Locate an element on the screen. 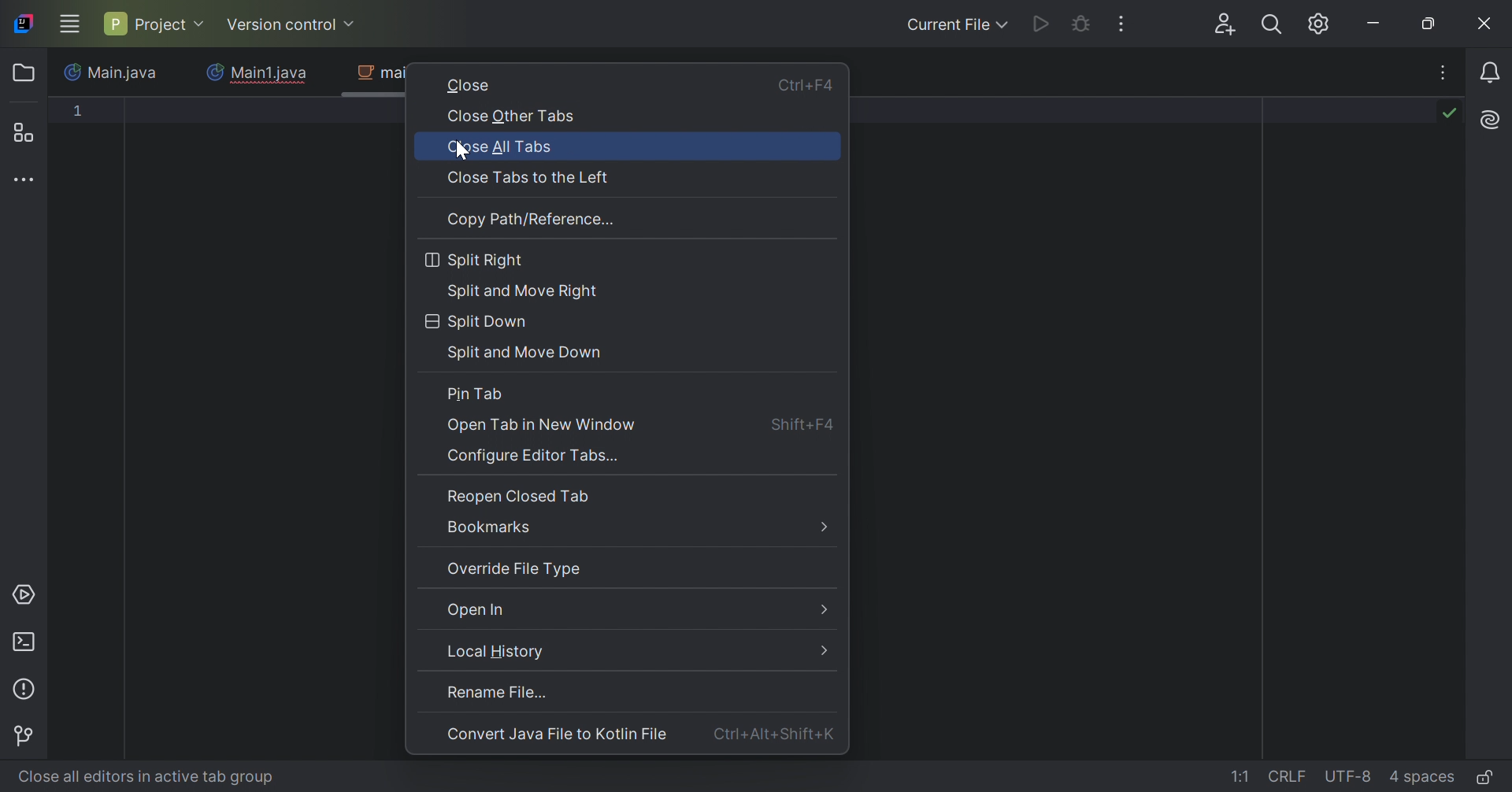  Pin Tab is located at coordinates (477, 394).